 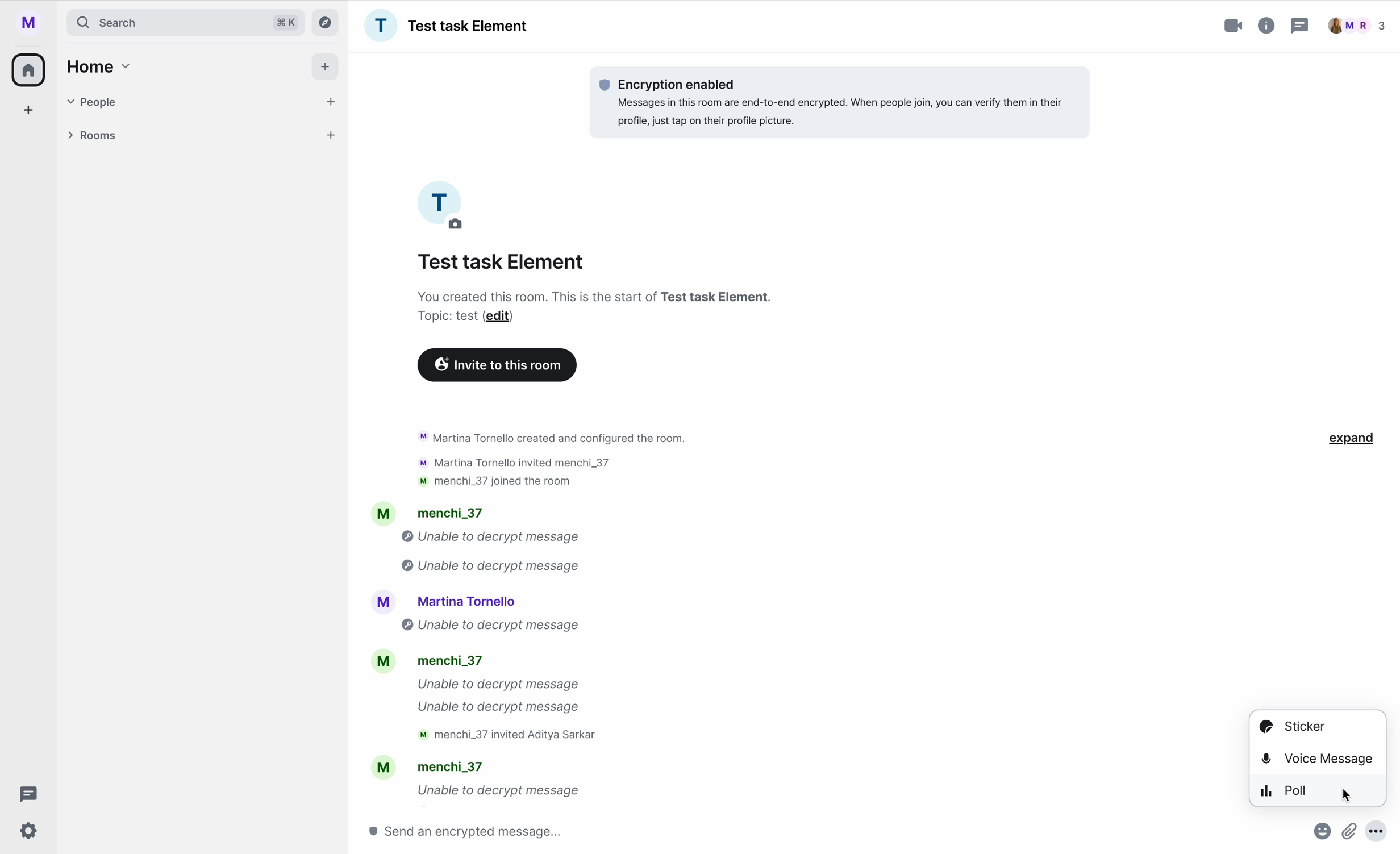 What do you see at coordinates (328, 22) in the screenshot?
I see `explore` at bounding box center [328, 22].